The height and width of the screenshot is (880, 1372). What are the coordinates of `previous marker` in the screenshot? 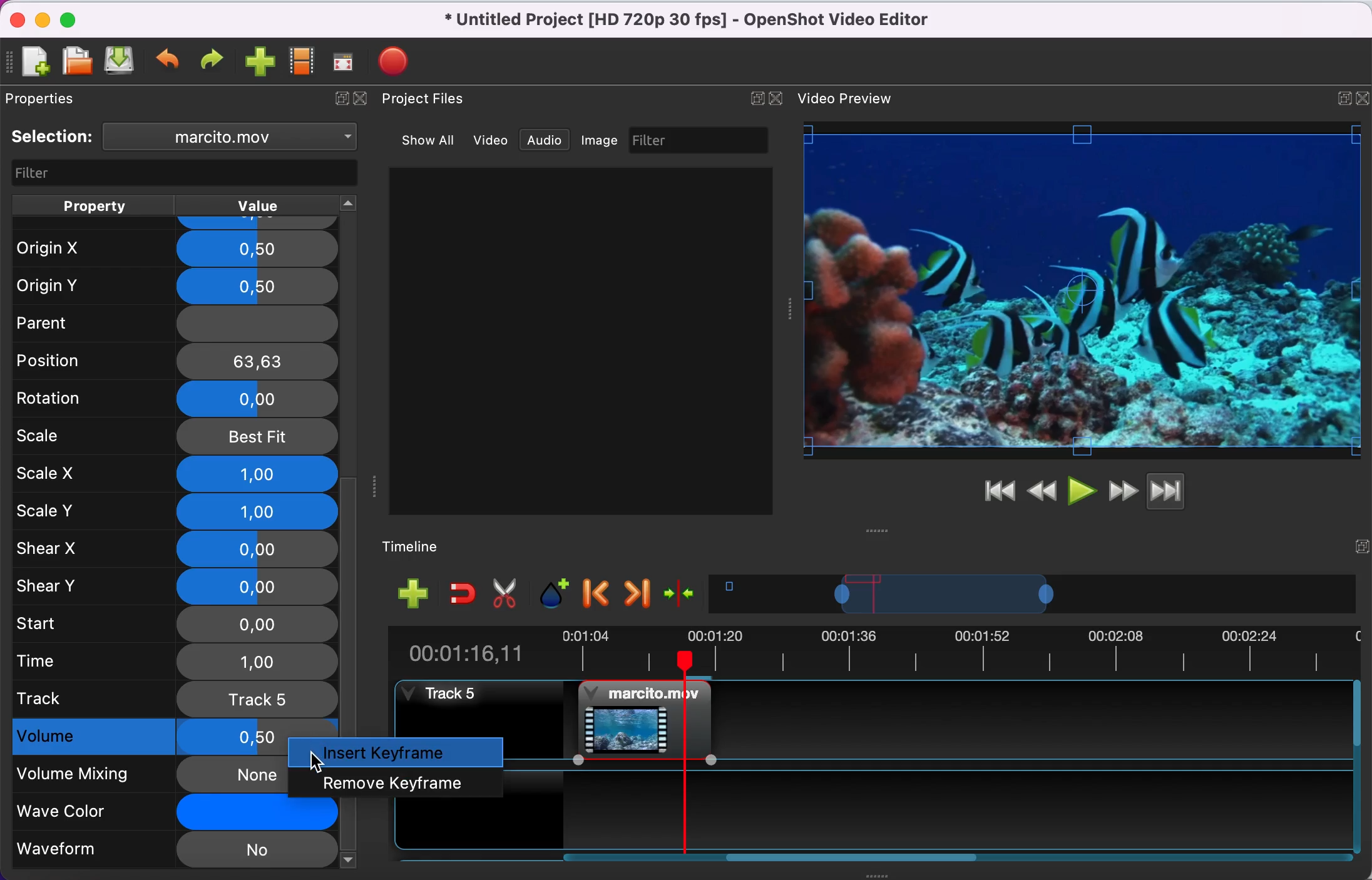 It's located at (597, 595).